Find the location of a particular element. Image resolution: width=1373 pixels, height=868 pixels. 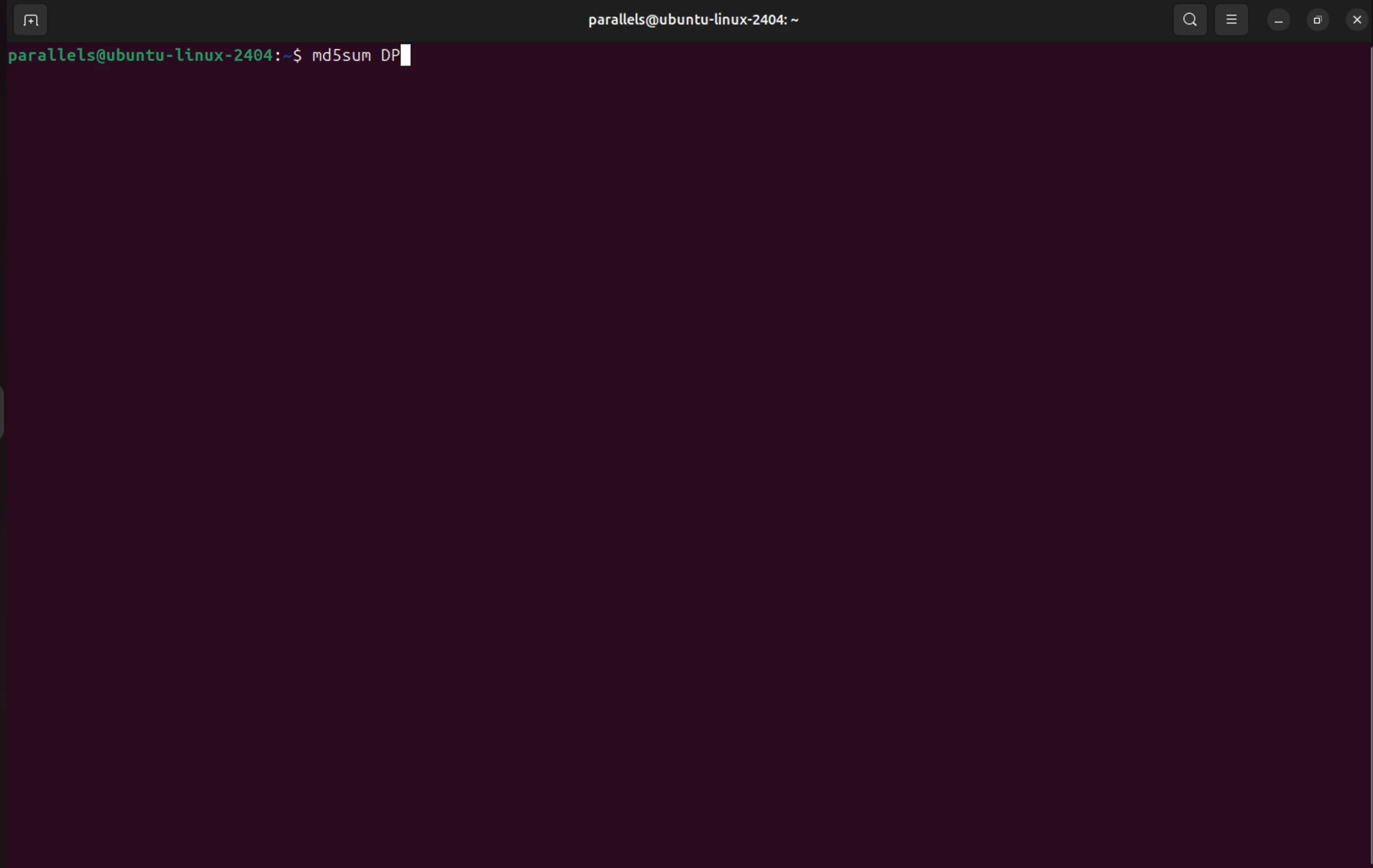

add terminal is located at coordinates (28, 21).